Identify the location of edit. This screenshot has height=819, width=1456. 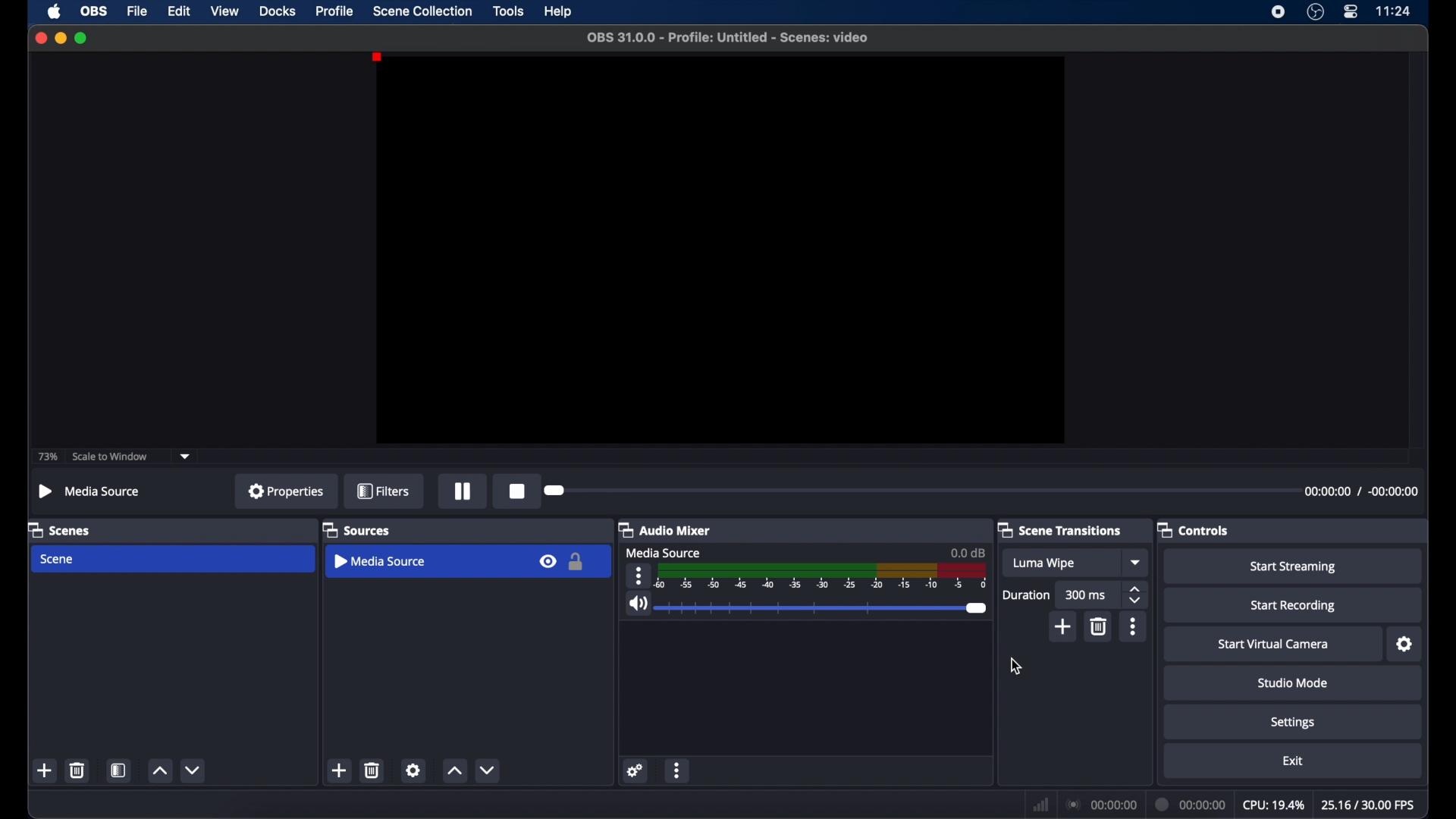
(178, 11).